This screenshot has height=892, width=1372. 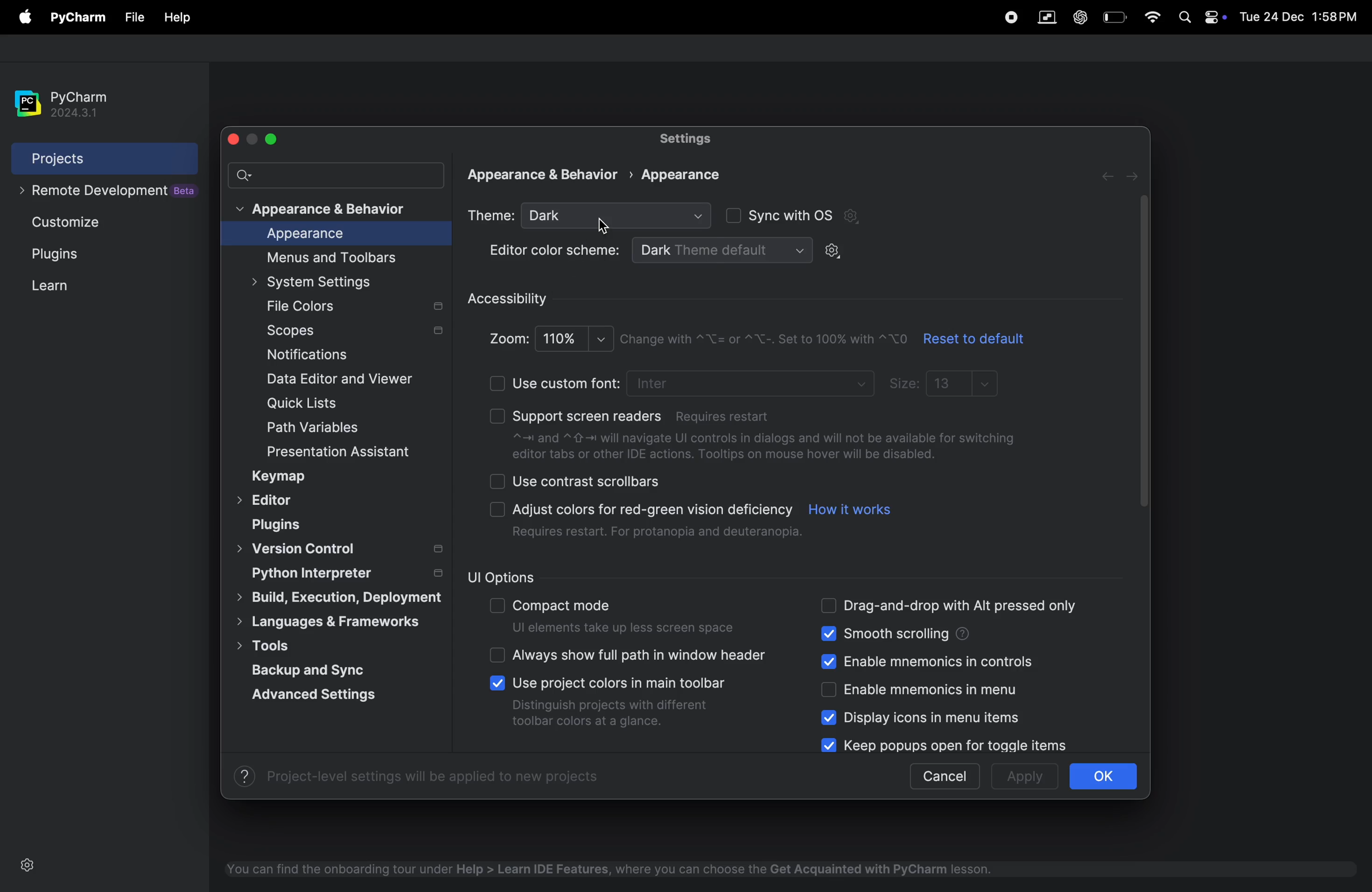 What do you see at coordinates (357, 452) in the screenshot?
I see `presentation assistant` at bounding box center [357, 452].